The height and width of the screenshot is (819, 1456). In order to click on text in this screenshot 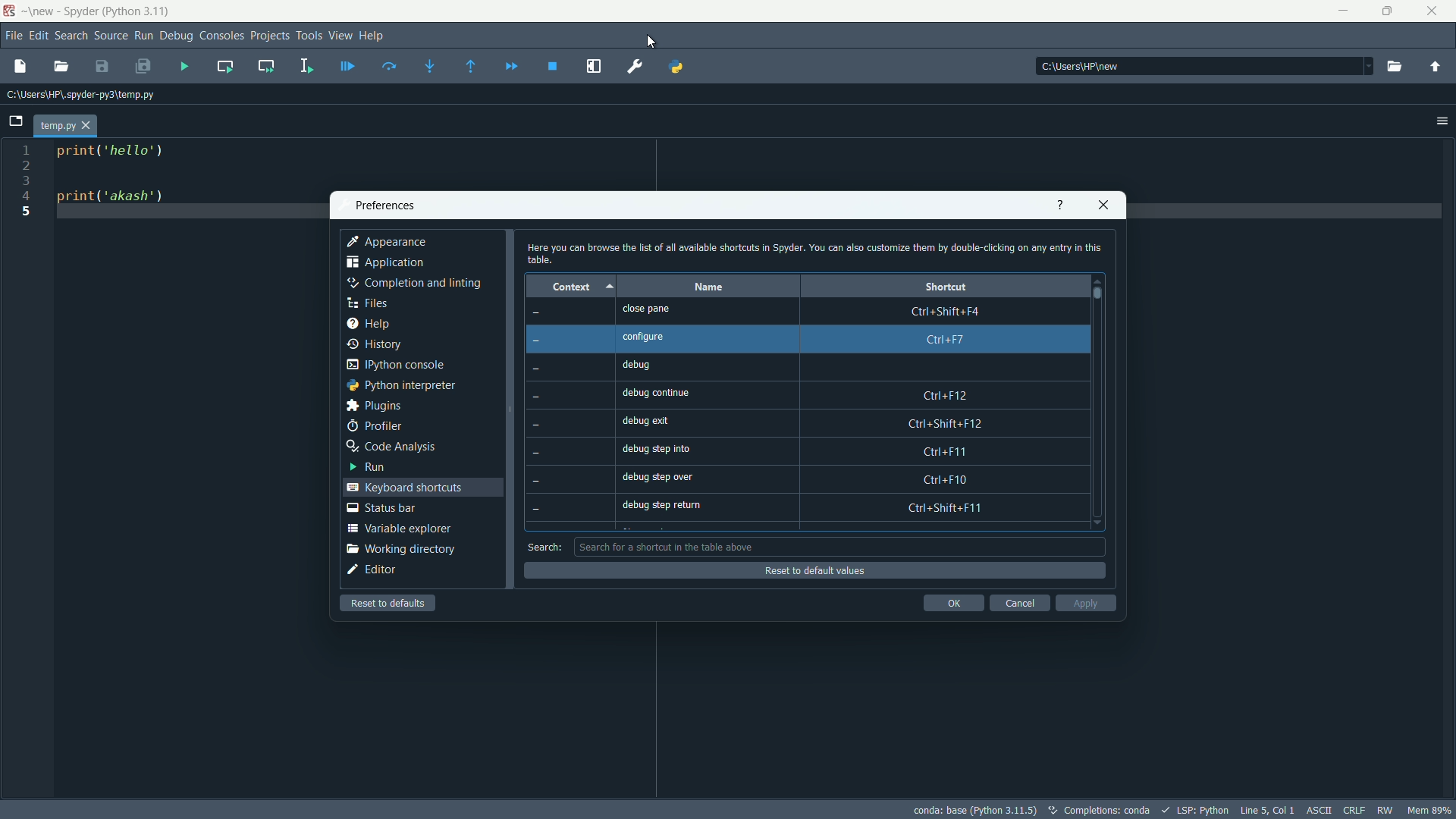, I will do `click(1107, 811)`.